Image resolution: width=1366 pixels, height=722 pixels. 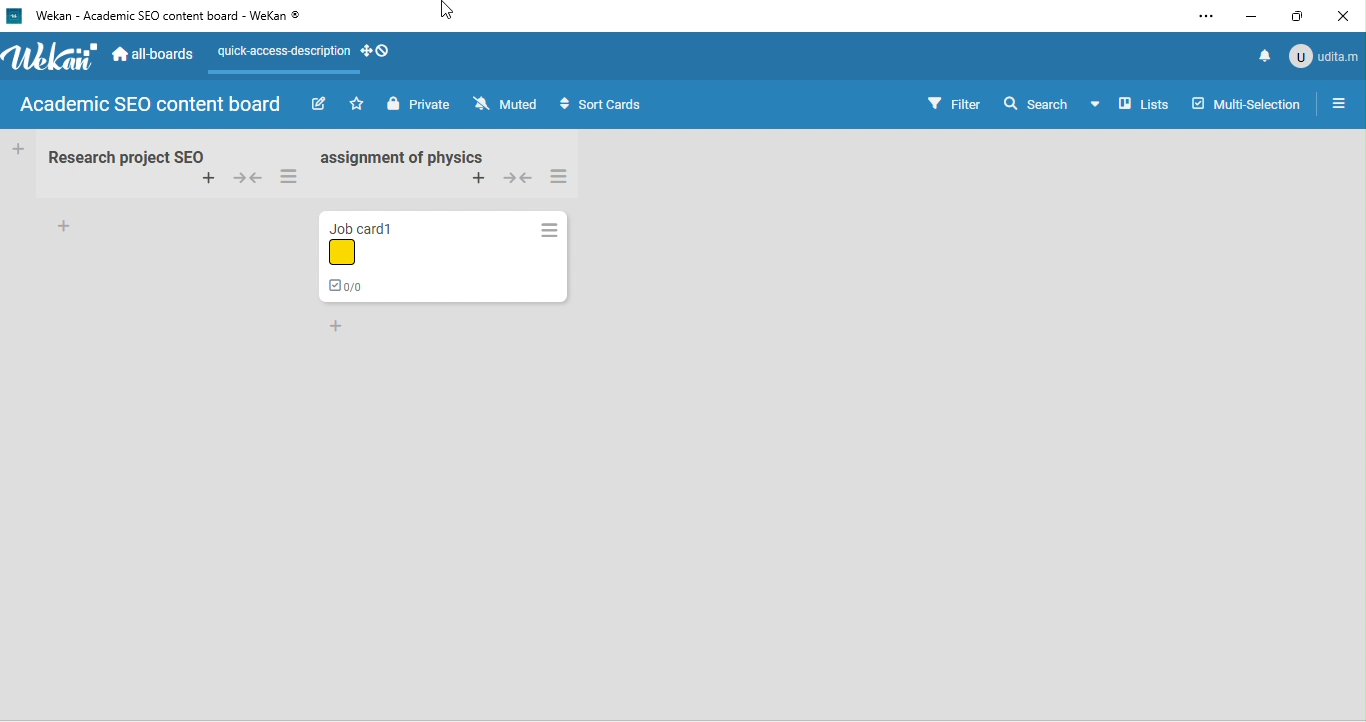 I want to click on cursor, so click(x=451, y=11).